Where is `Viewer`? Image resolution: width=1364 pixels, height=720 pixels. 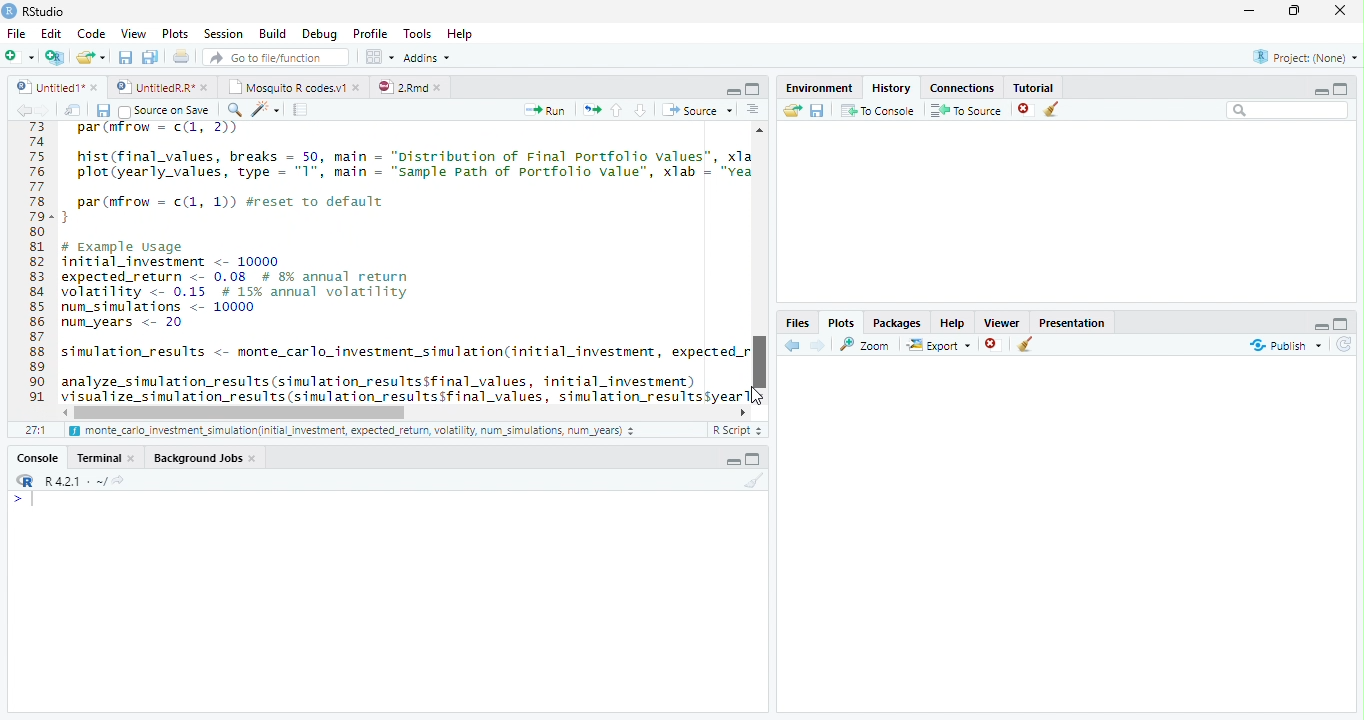 Viewer is located at coordinates (1003, 320).